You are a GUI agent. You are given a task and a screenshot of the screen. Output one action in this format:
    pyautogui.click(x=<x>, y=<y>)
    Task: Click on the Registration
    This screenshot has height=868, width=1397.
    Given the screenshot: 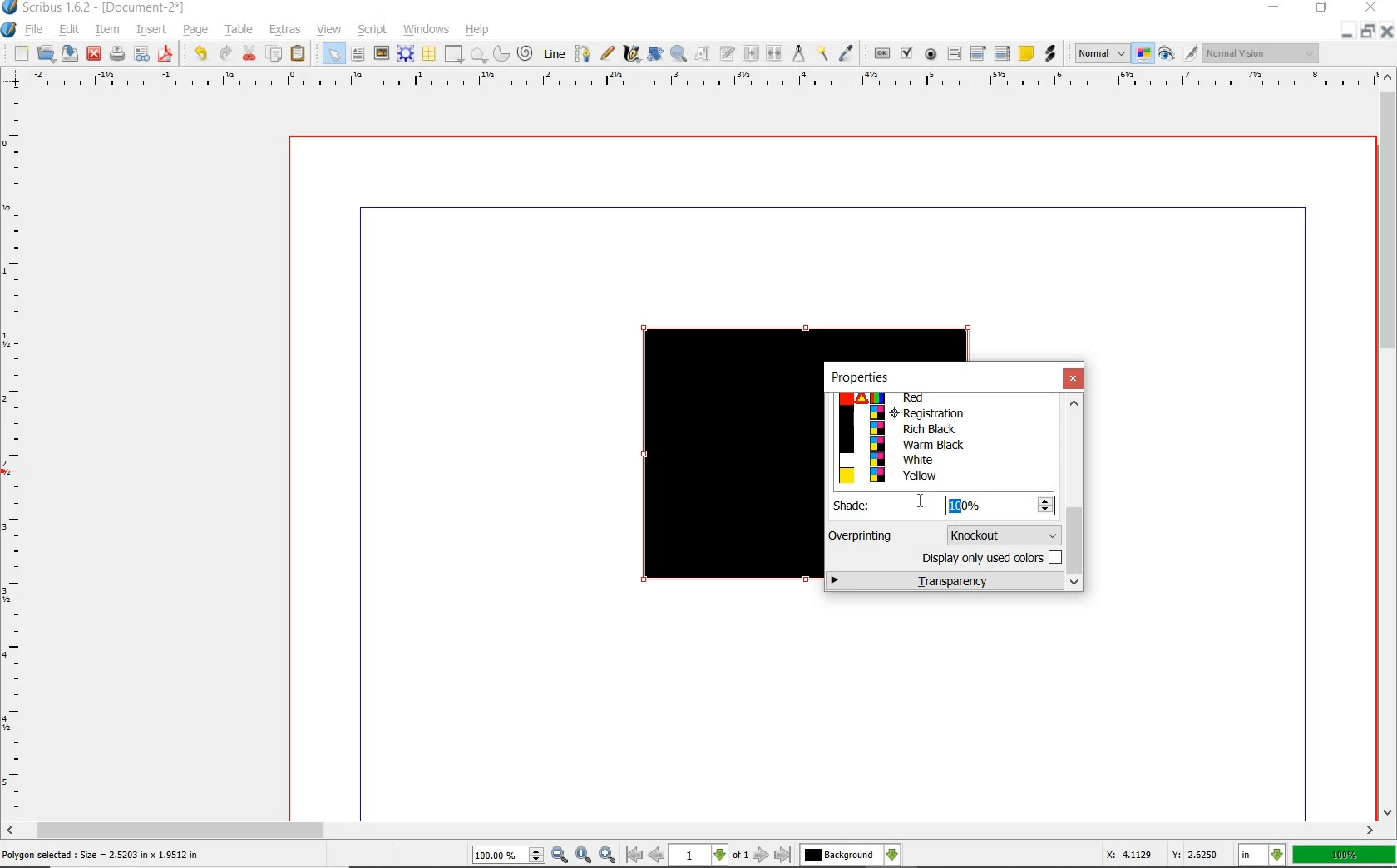 What is the action you would take?
    pyautogui.click(x=941, y=413)
    